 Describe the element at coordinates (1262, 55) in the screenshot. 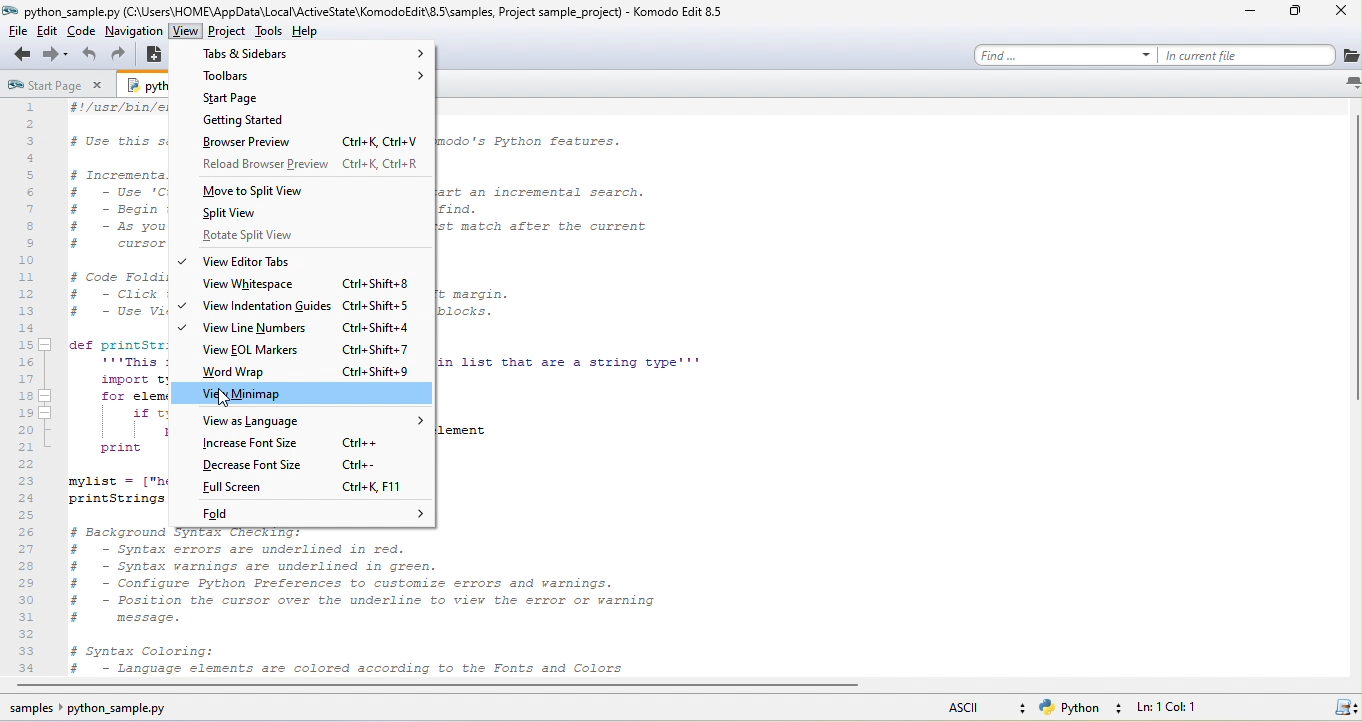

I see `current file` at that location.